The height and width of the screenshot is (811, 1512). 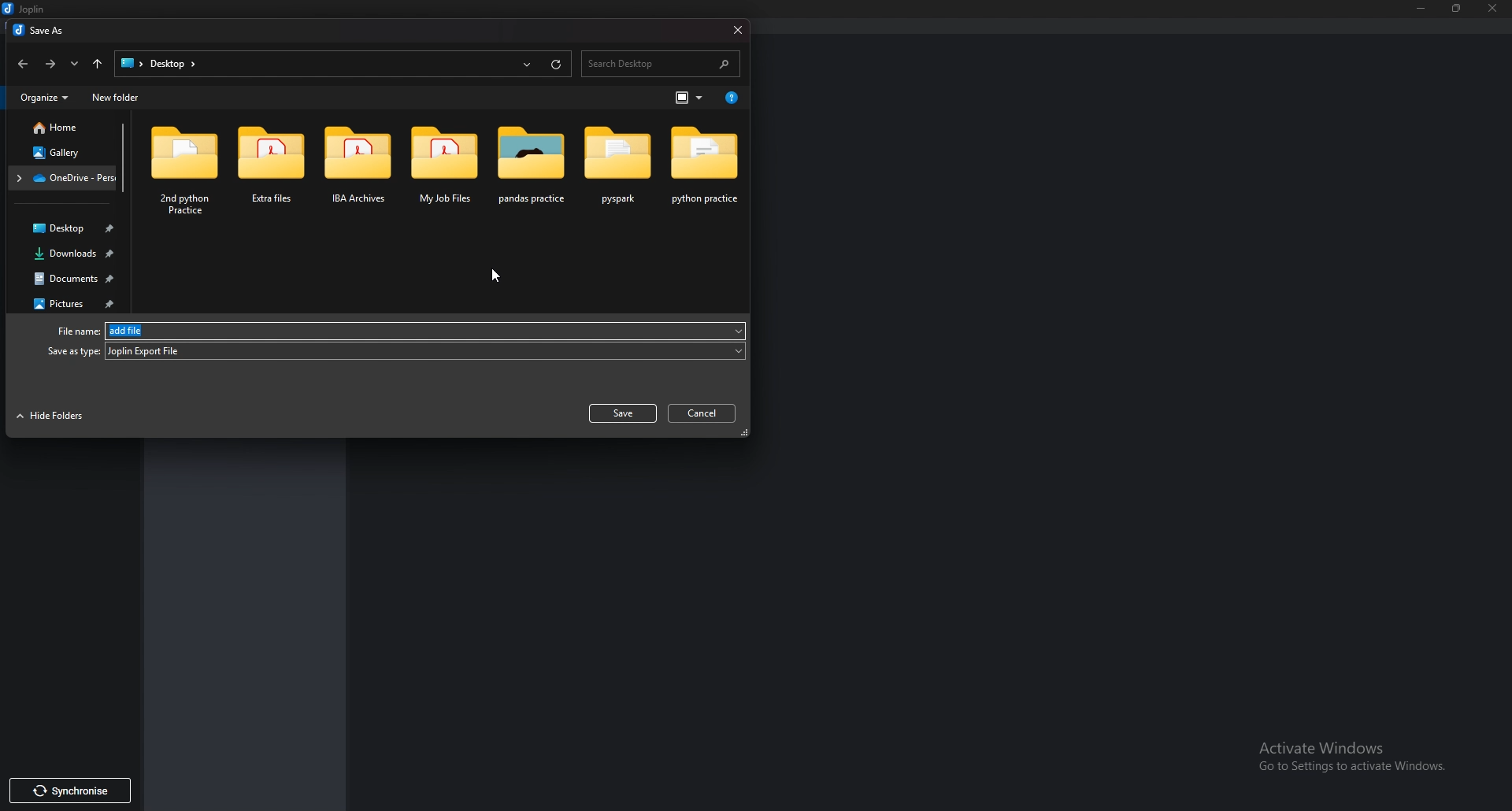 I want to click on Resize, so click(x=1455, y=9).